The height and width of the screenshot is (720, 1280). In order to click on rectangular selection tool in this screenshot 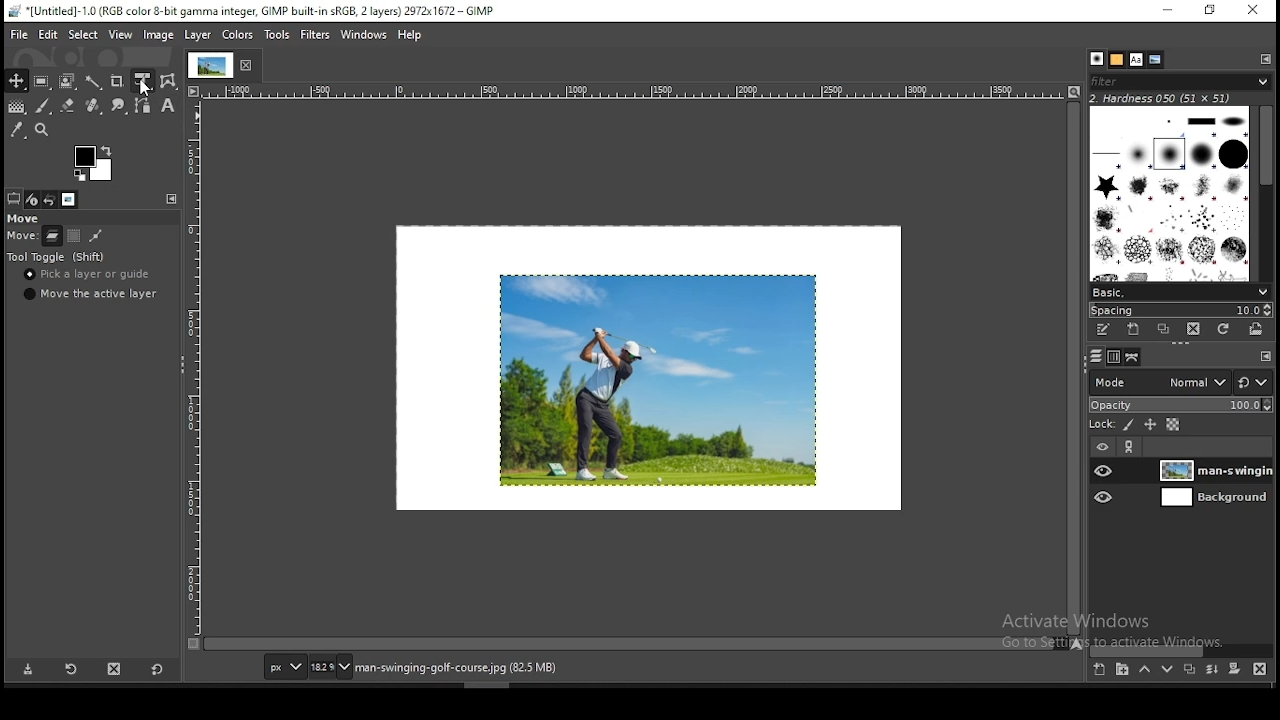, I will do `click(44, 82)`.